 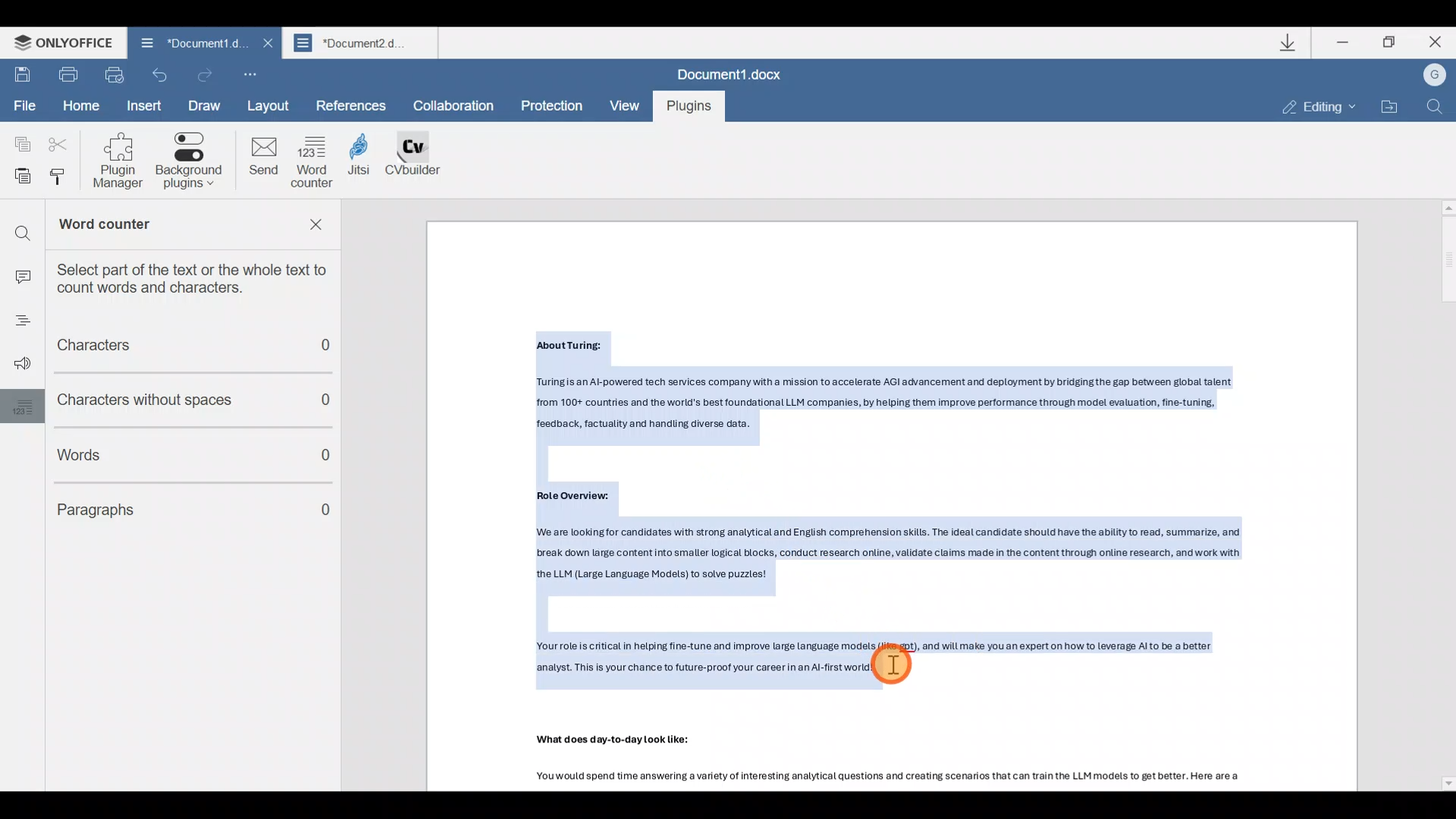 I want to click on Save, so click(x=22, y=76).